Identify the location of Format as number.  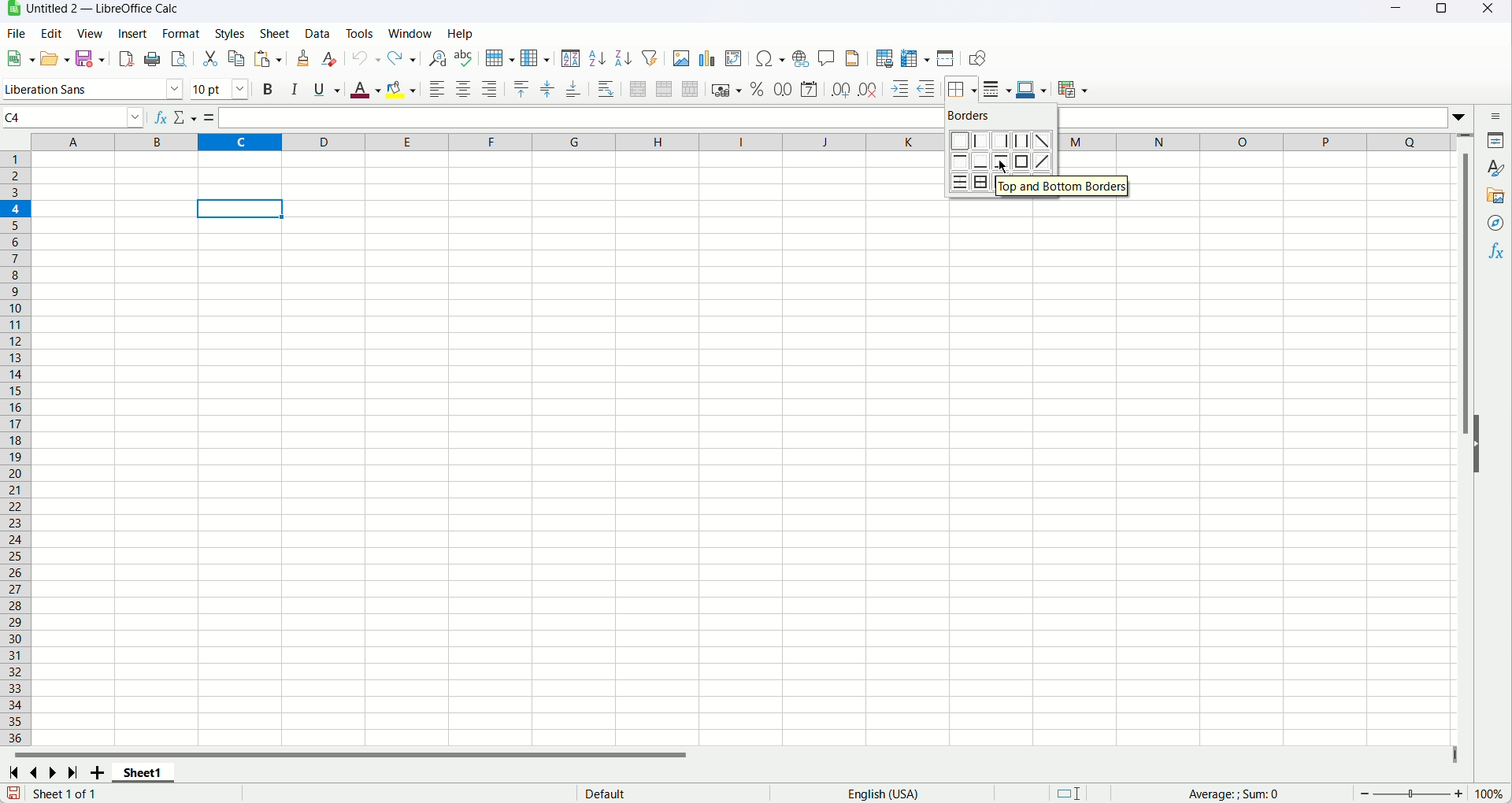
(783, 88).